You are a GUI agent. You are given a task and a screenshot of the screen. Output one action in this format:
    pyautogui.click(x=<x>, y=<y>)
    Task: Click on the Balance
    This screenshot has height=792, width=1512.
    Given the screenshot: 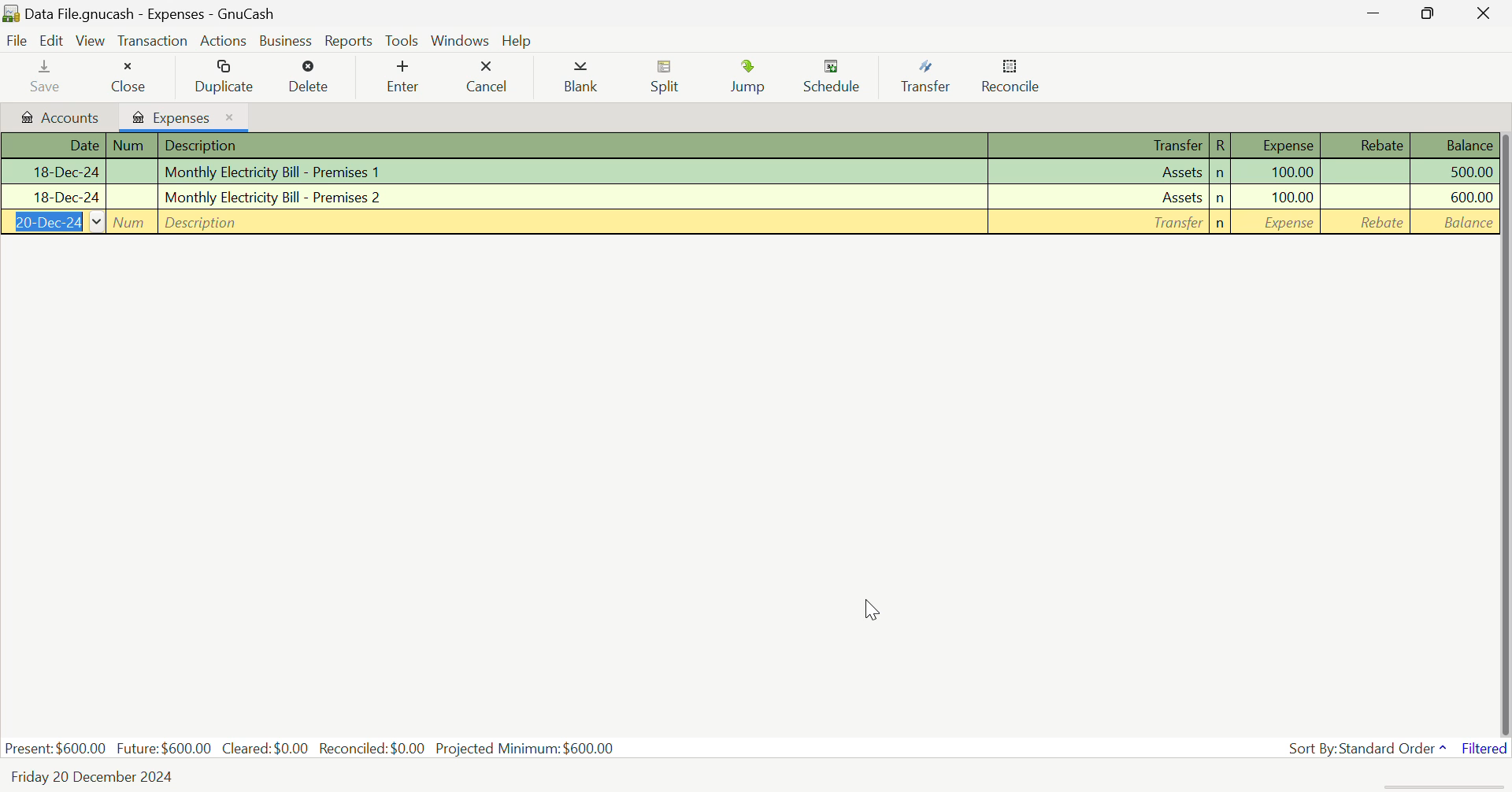 What is the action you would take?
    pyautogui.click(x=1452, y=224)
    